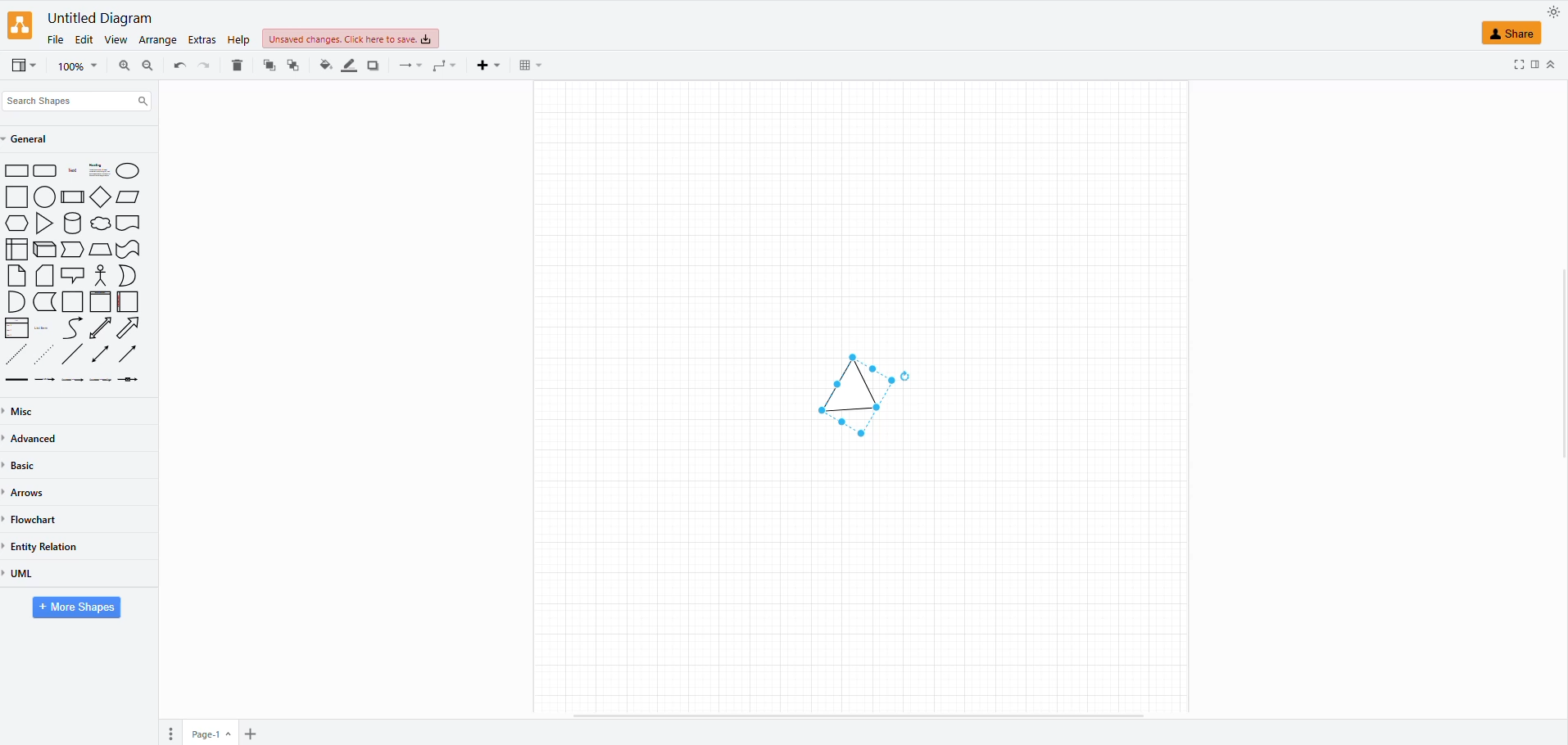 The height and width of the screenshot is (745, 1568). What do you see at coordinates (178, 65) in the screenshot?
I see `redo` at bounding box center [178, 65].